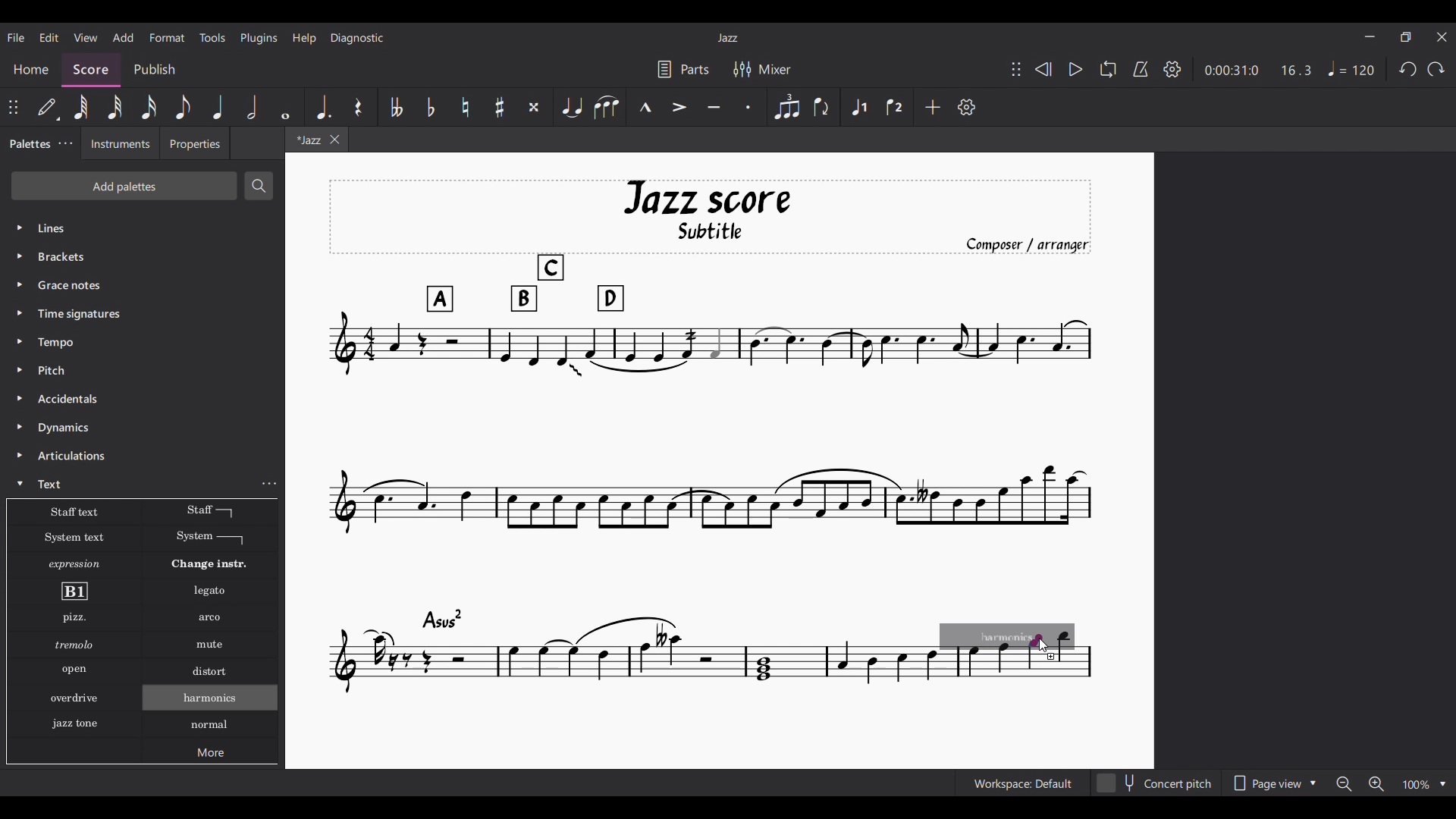 The image size is (1456, 819). What do you see at coordinates (79, 721) in the screenshot?
I see `Jazz tone` at bounding box center [79, 721].